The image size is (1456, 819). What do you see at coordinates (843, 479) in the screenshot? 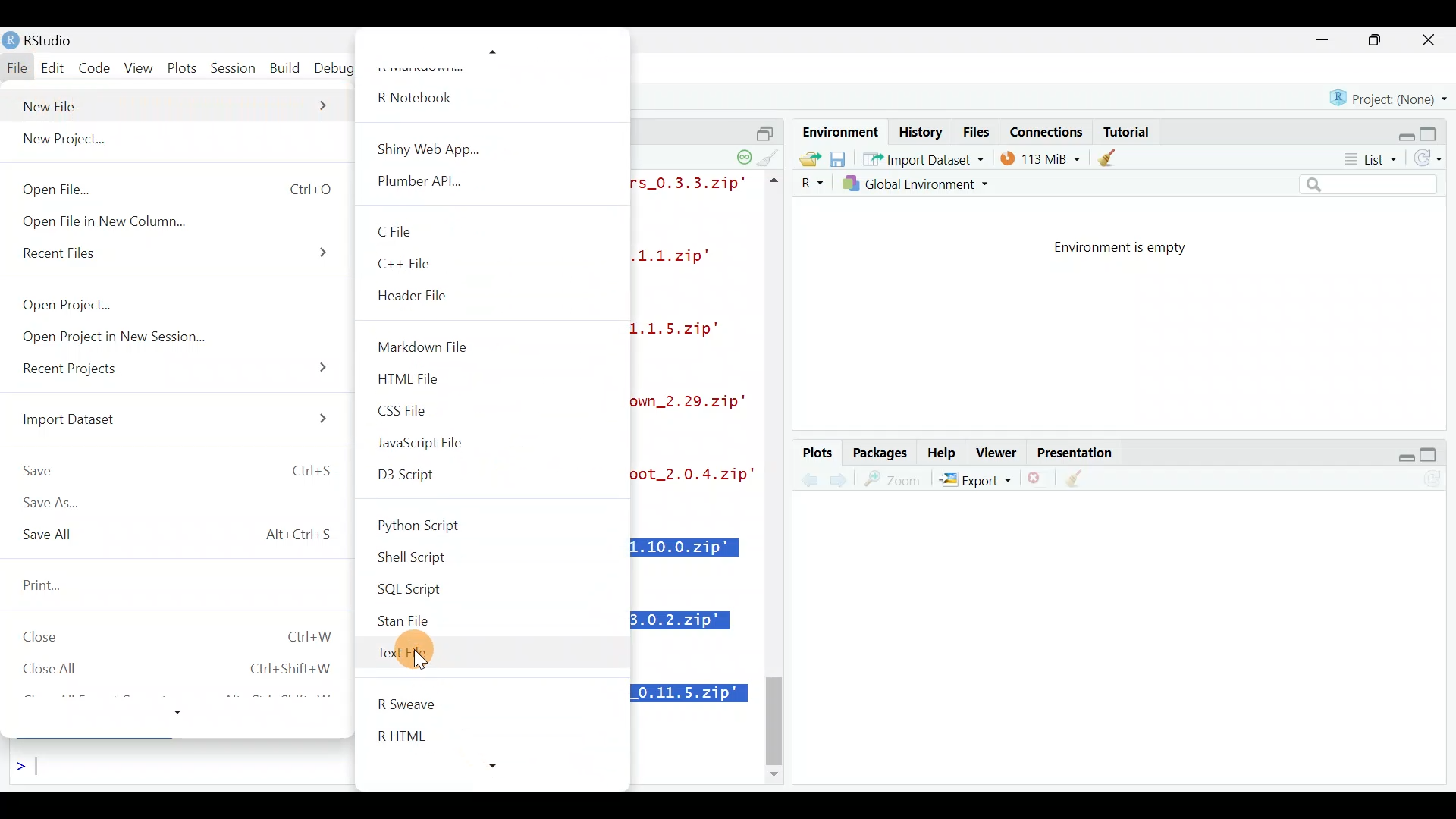
I see `previous plot` at bounding box center [843, 479].